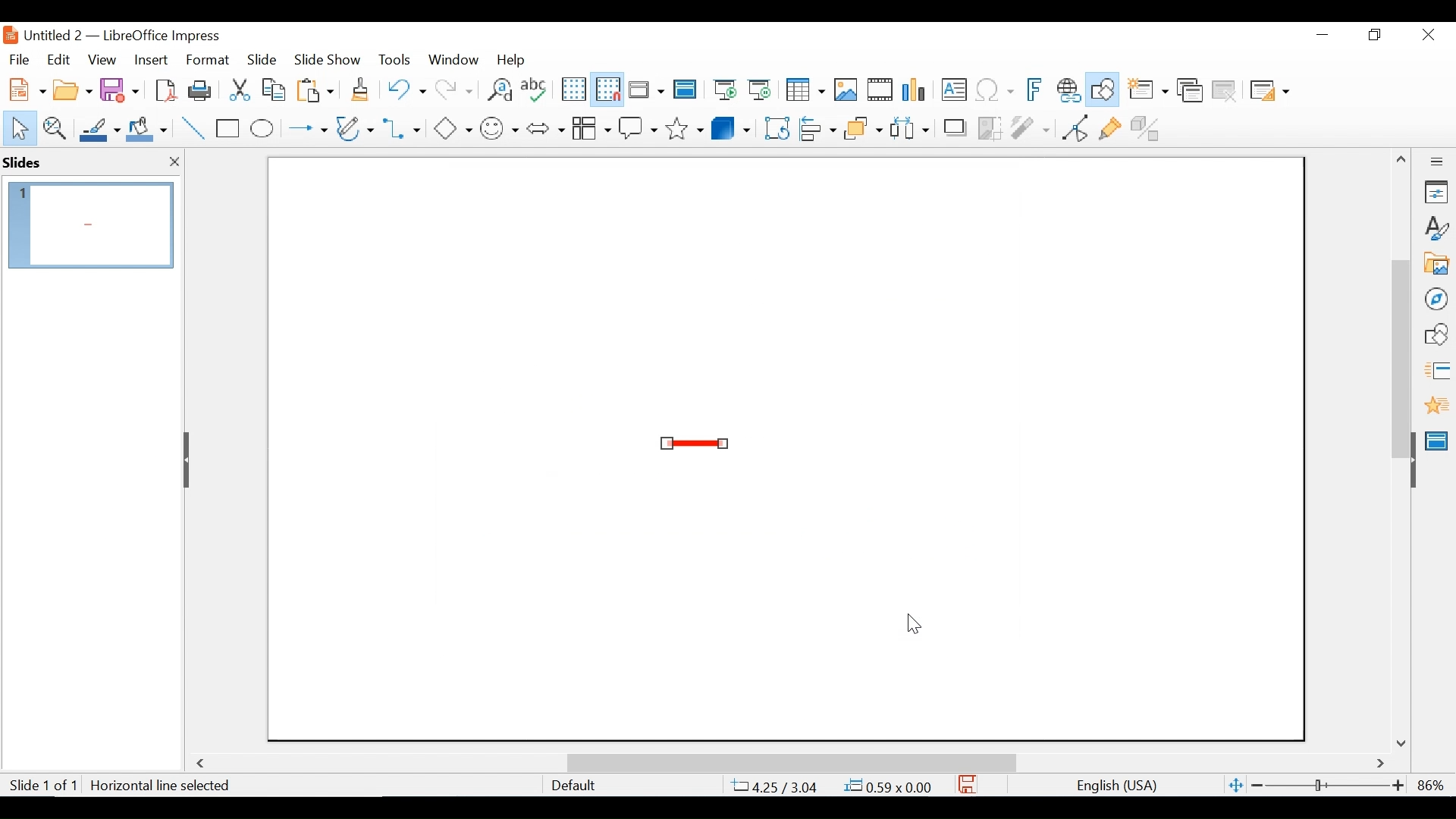  What do you see at coordinates (1236, 786) in the screenshot?
I see `Fit Slide to current window` at bounding box center [1236, 786].